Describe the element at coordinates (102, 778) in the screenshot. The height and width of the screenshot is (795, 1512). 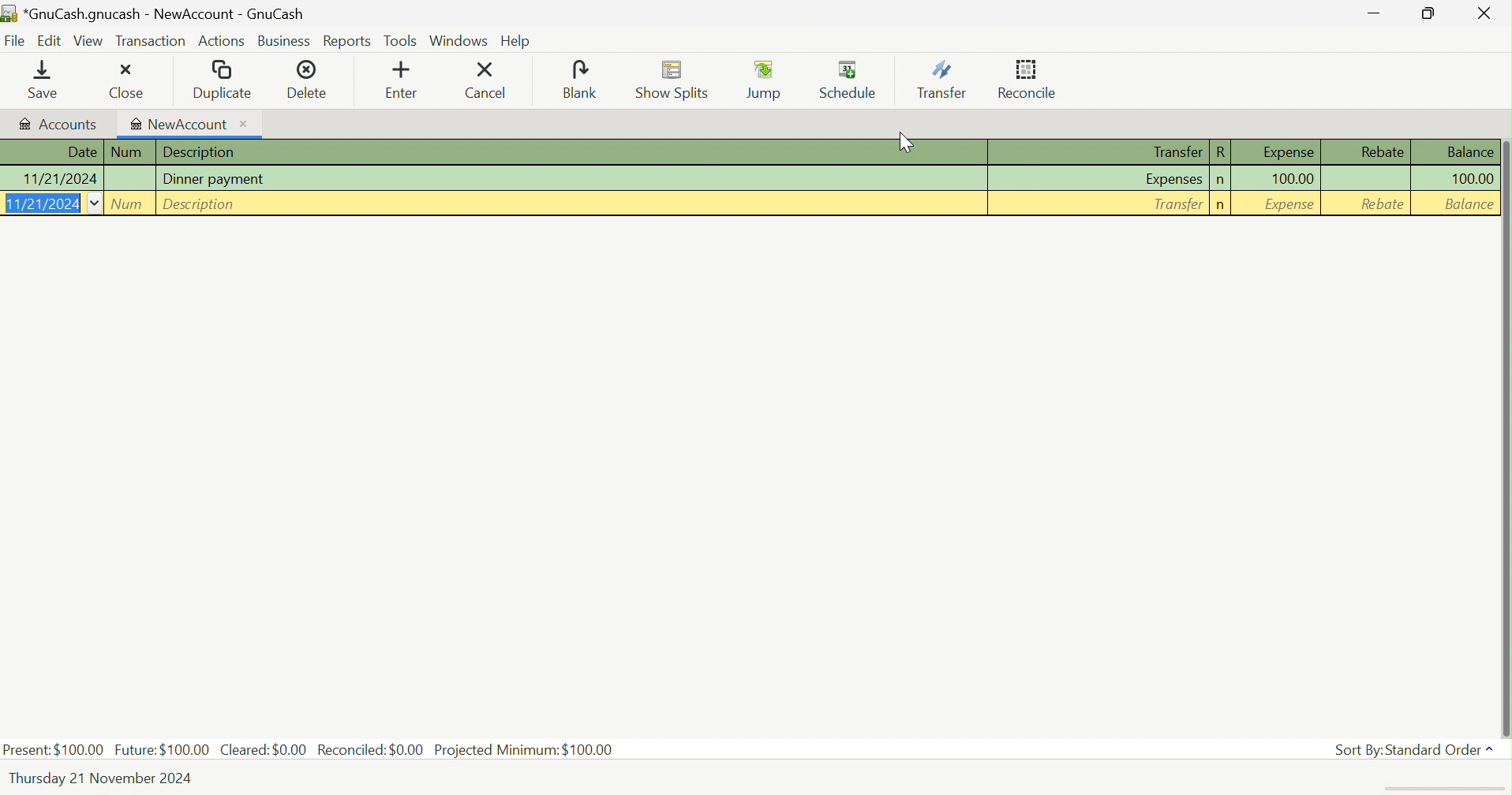
I see `Thursday 21 November 2024` at that location.